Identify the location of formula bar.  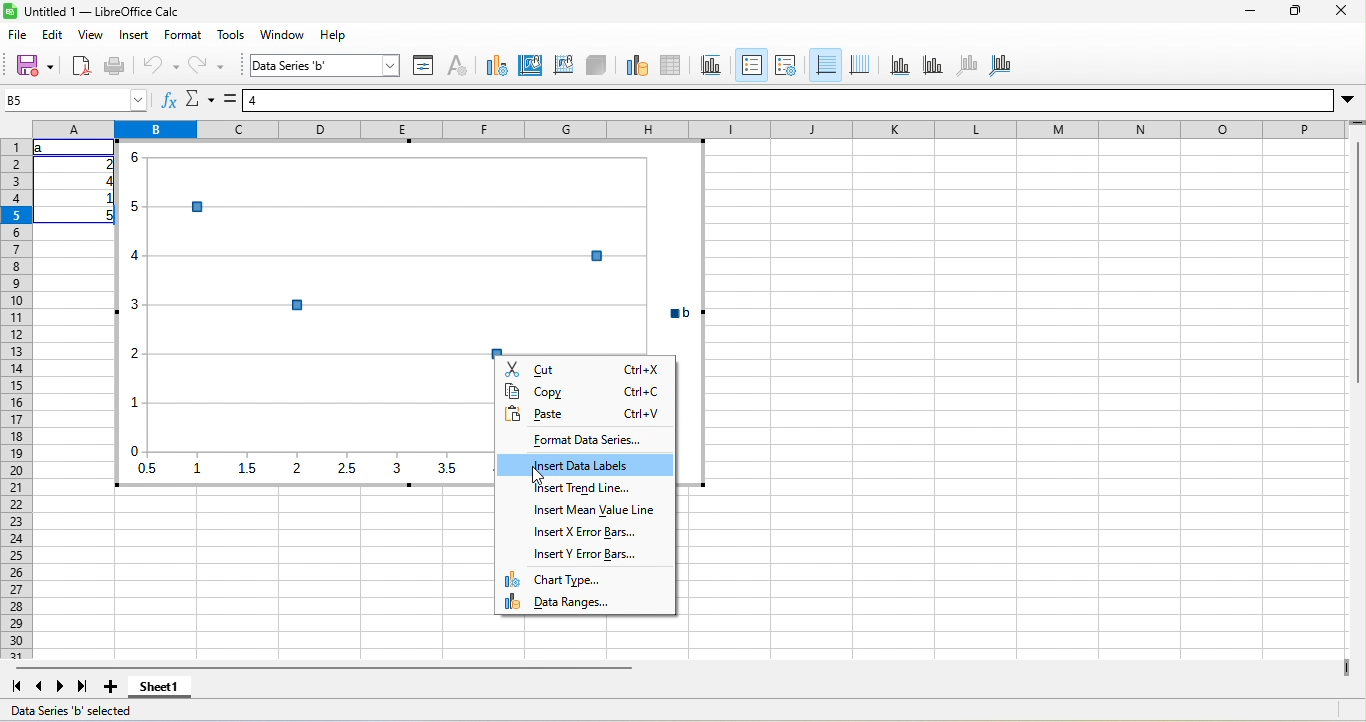
(788, 100).